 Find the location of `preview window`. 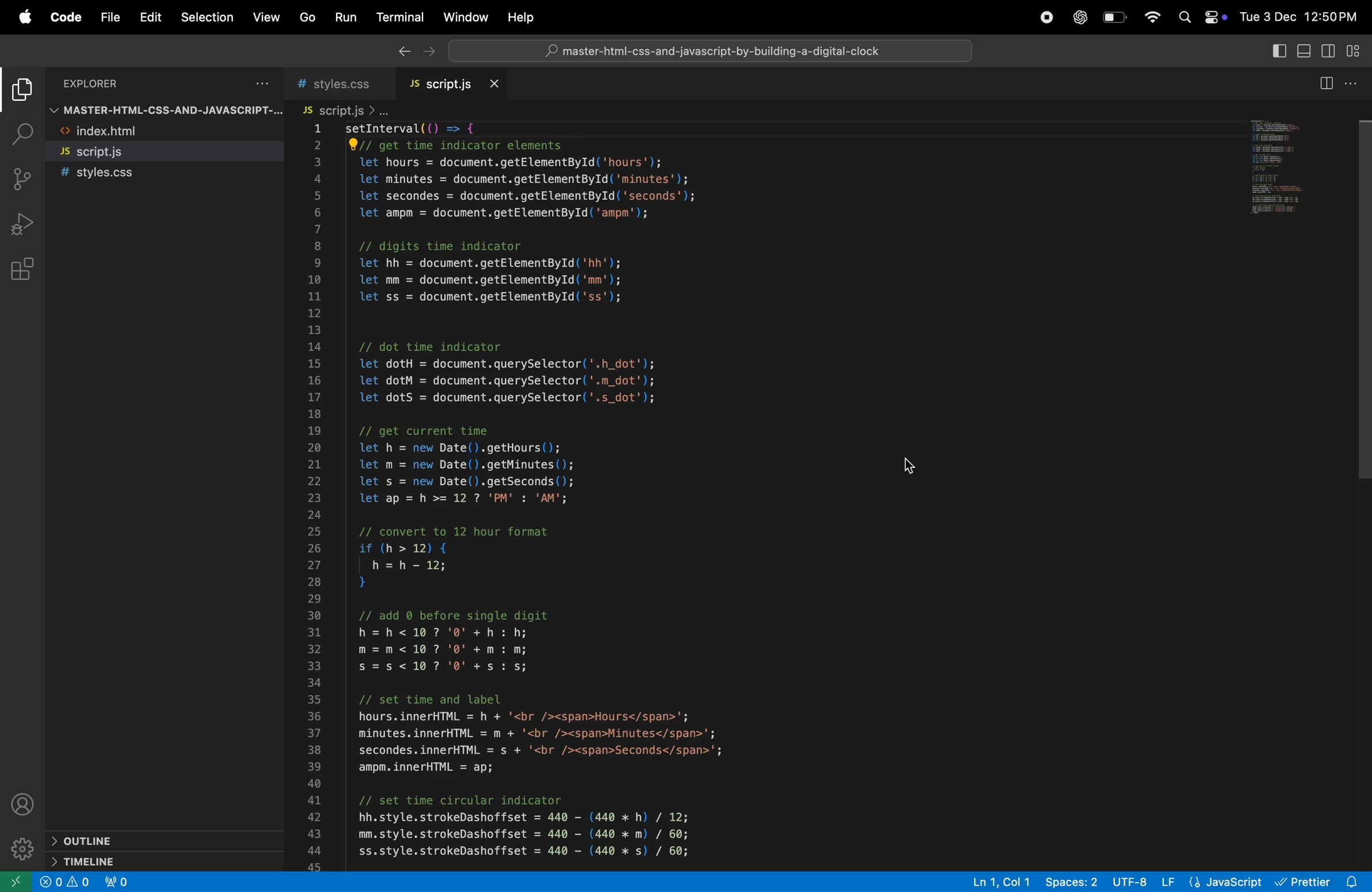

preview window is located at coordinates (1285, 167).